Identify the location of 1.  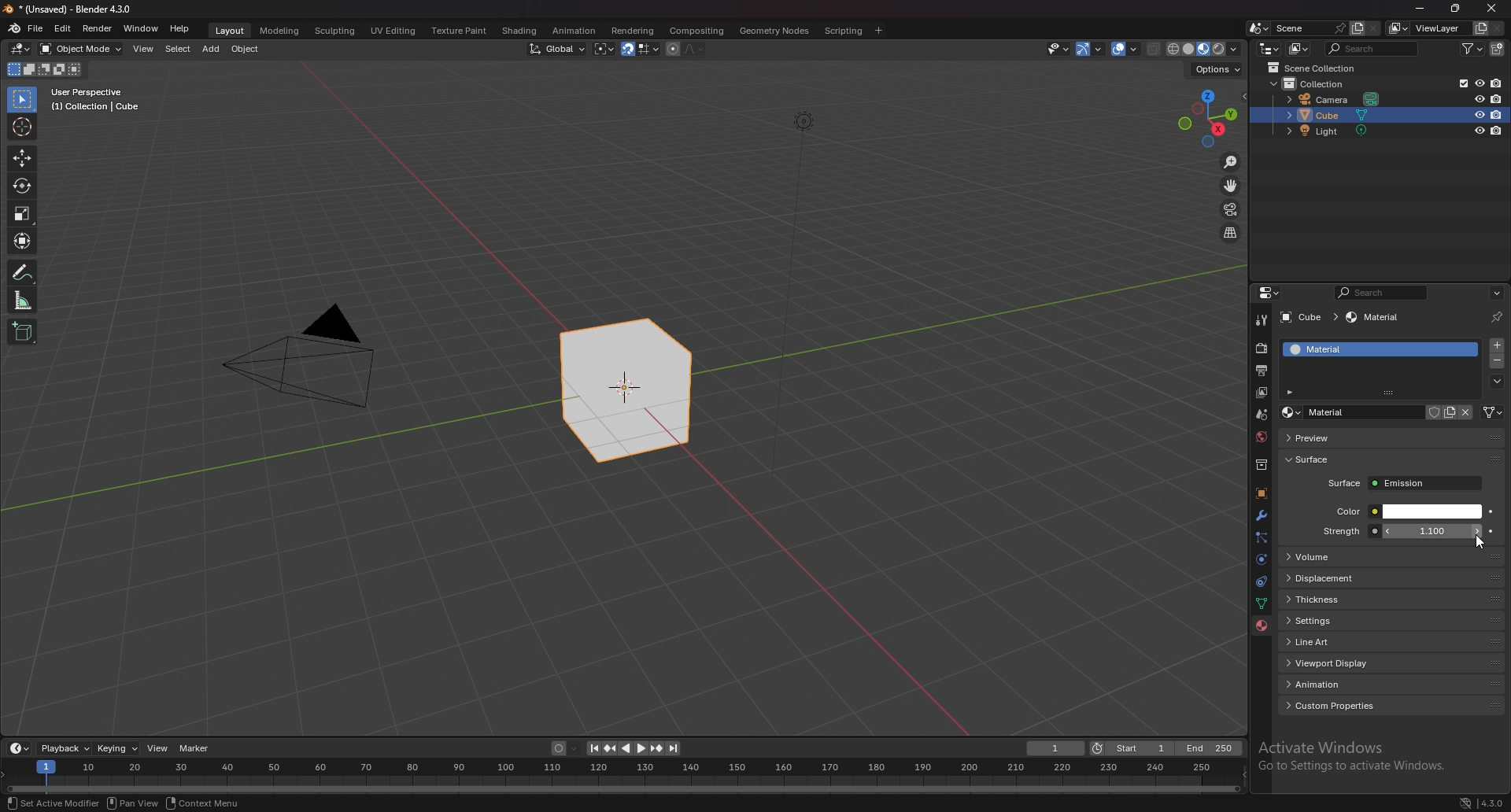
(1056, 748).